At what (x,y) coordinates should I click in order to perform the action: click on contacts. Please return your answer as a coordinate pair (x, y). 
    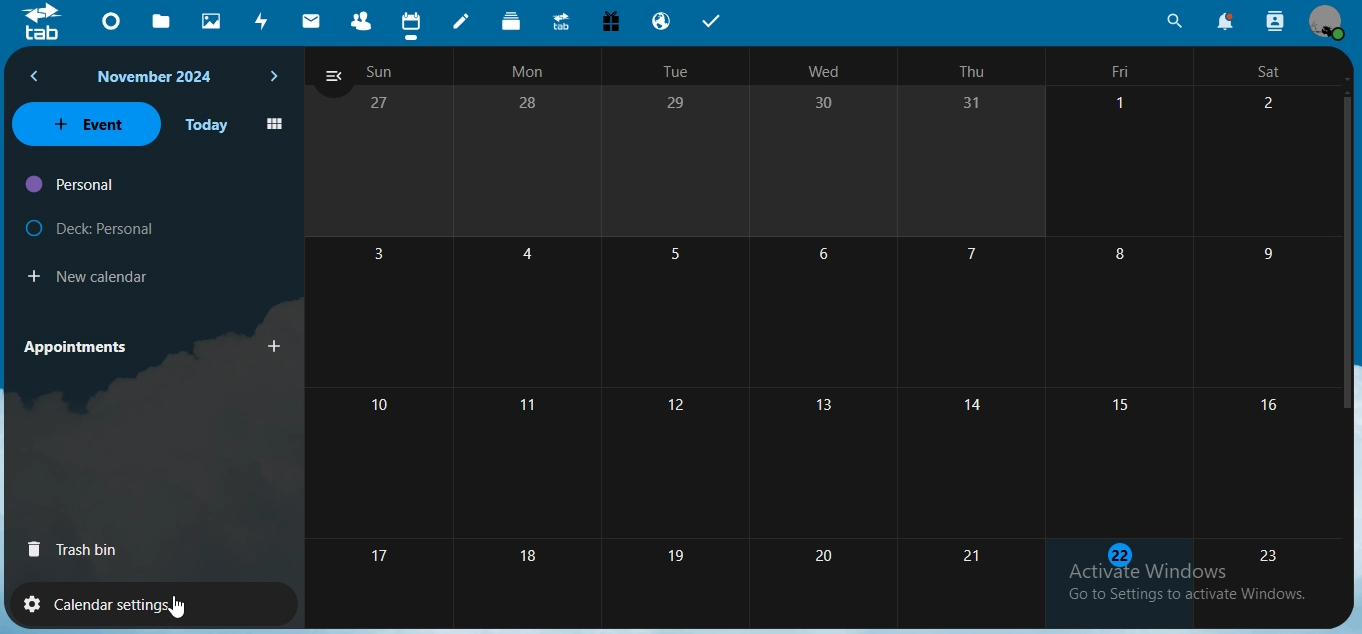
    Looking at the image, I should click on (361, 20).